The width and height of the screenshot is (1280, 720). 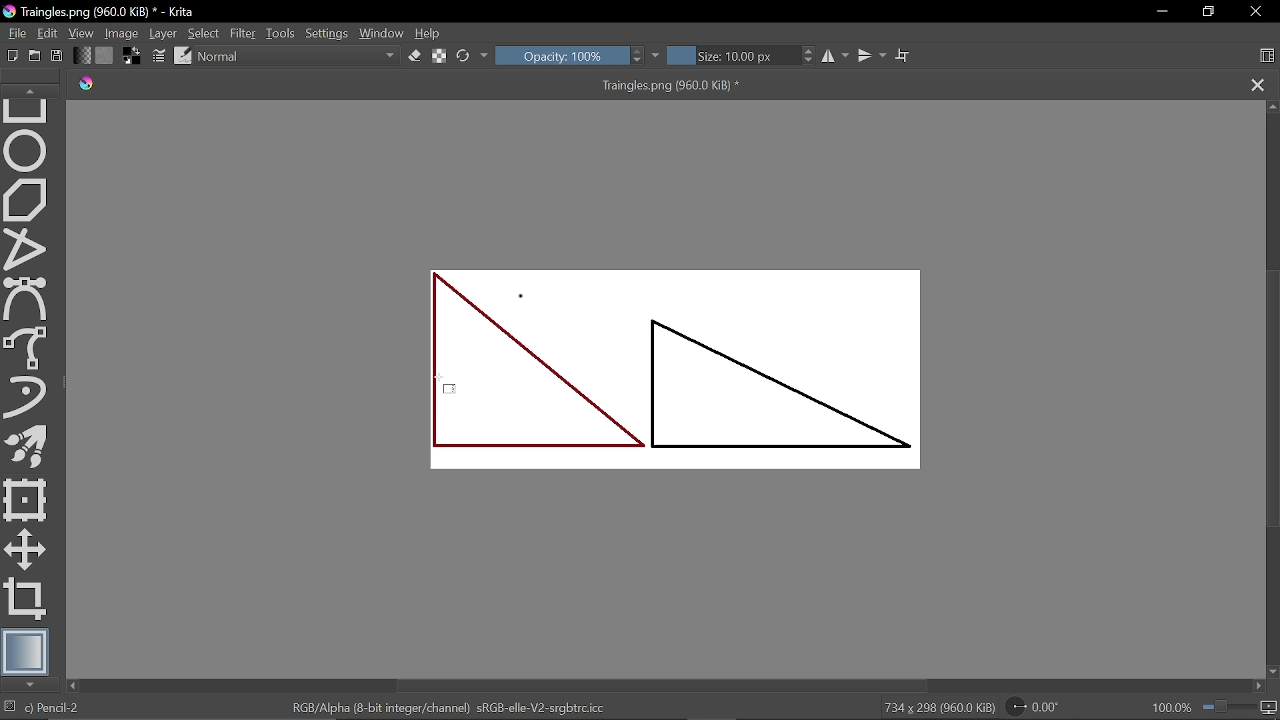 What do you see at coordinates (904, 56) in the screenshot?
I see `Wrap text tool` at bounding box center [904, 56].